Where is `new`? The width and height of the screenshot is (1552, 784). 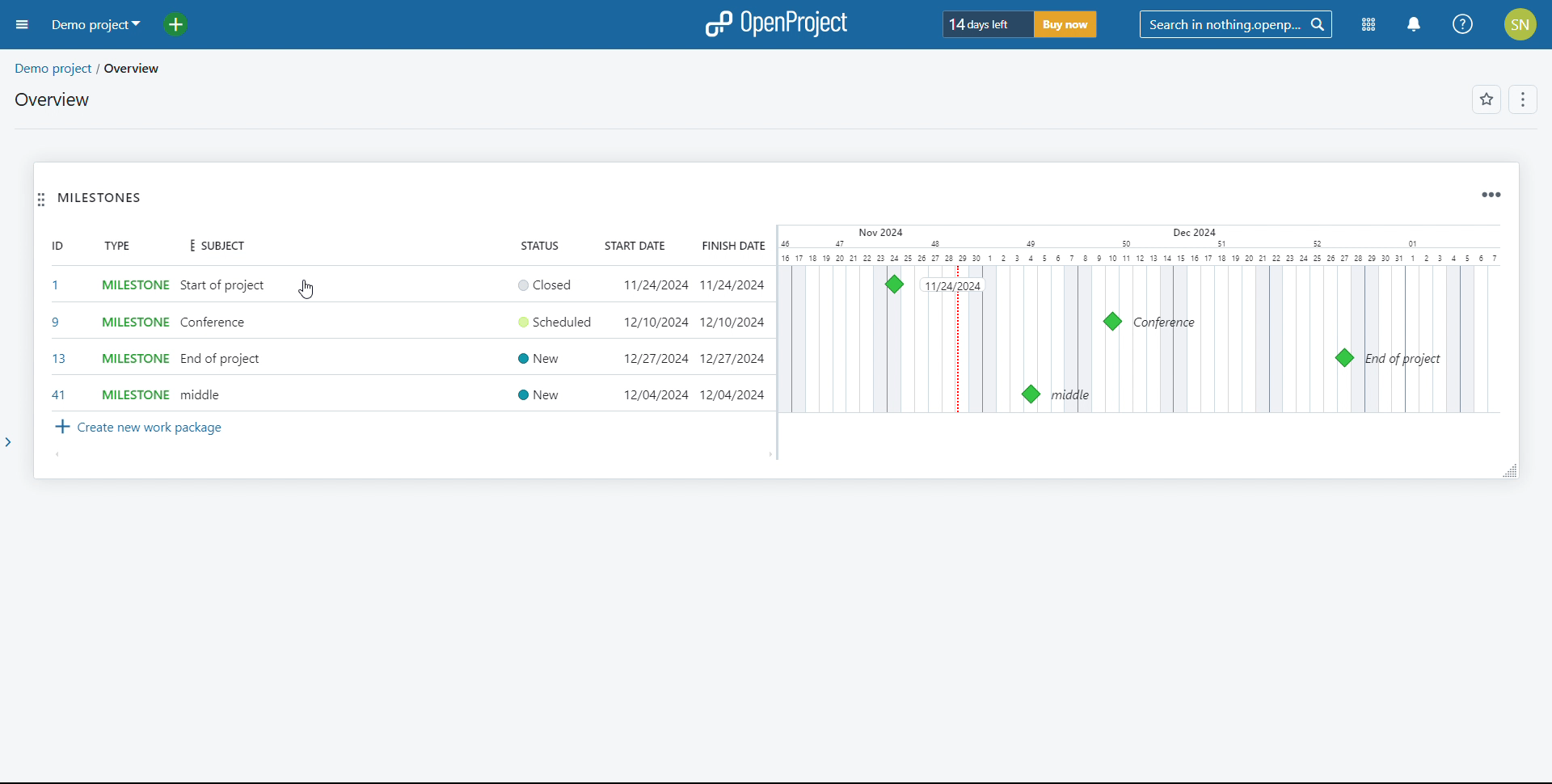 new is located at coordinates (539, 360).